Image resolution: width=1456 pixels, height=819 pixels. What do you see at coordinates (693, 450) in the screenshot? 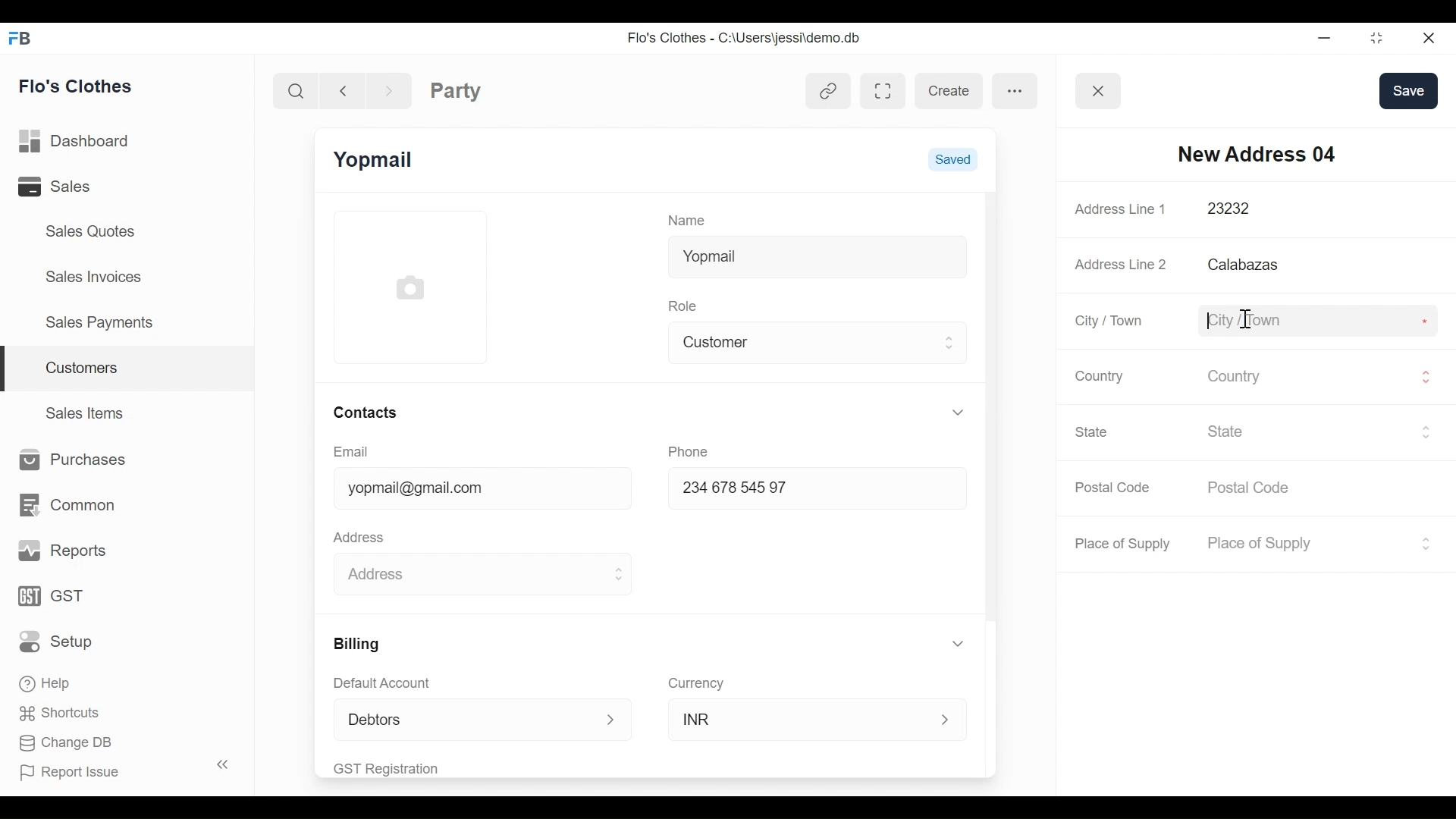
I see `Phone` at bounding box center [693, 450].